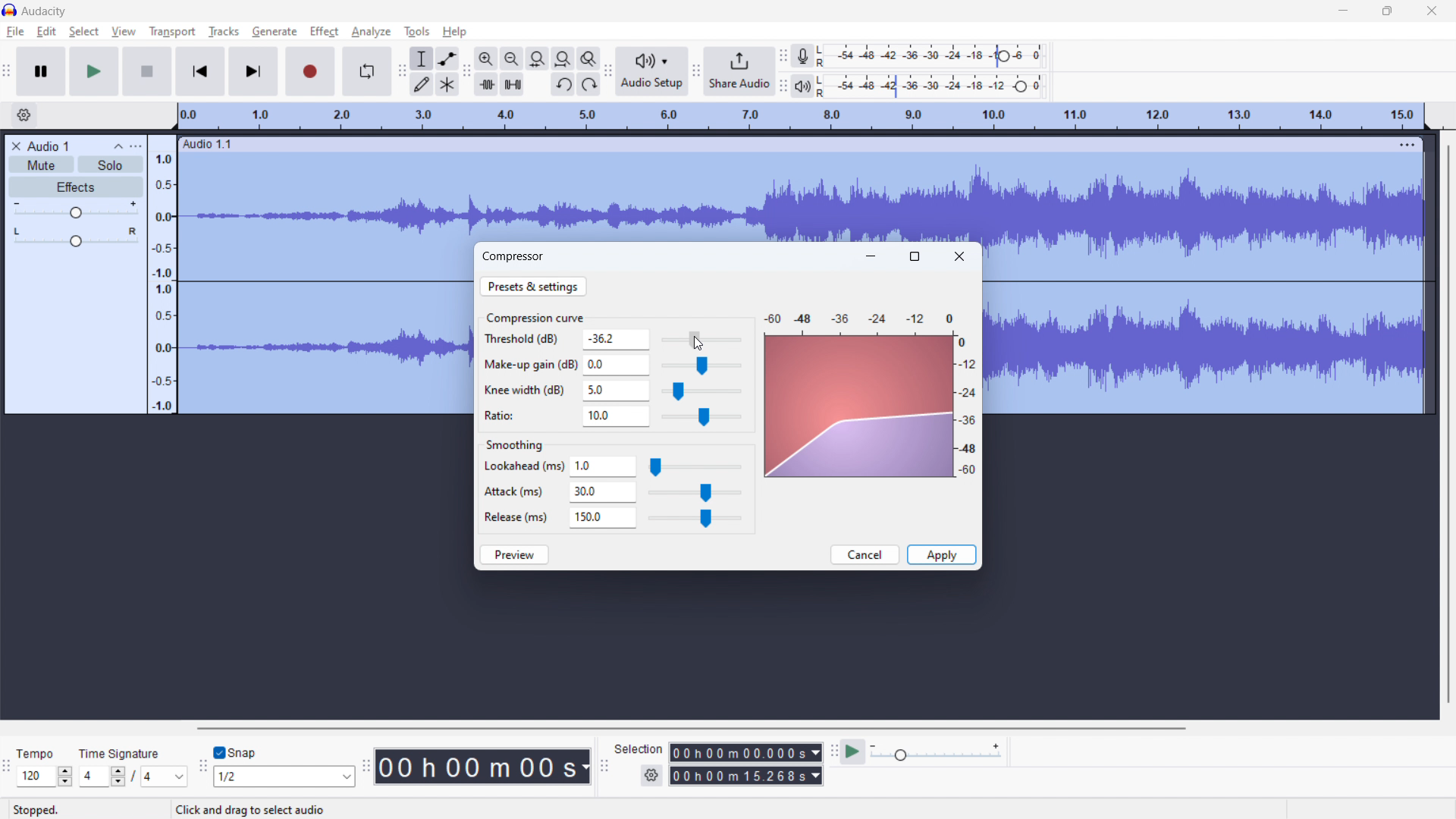  I want to click on lookahead slider, so click(695, 468).